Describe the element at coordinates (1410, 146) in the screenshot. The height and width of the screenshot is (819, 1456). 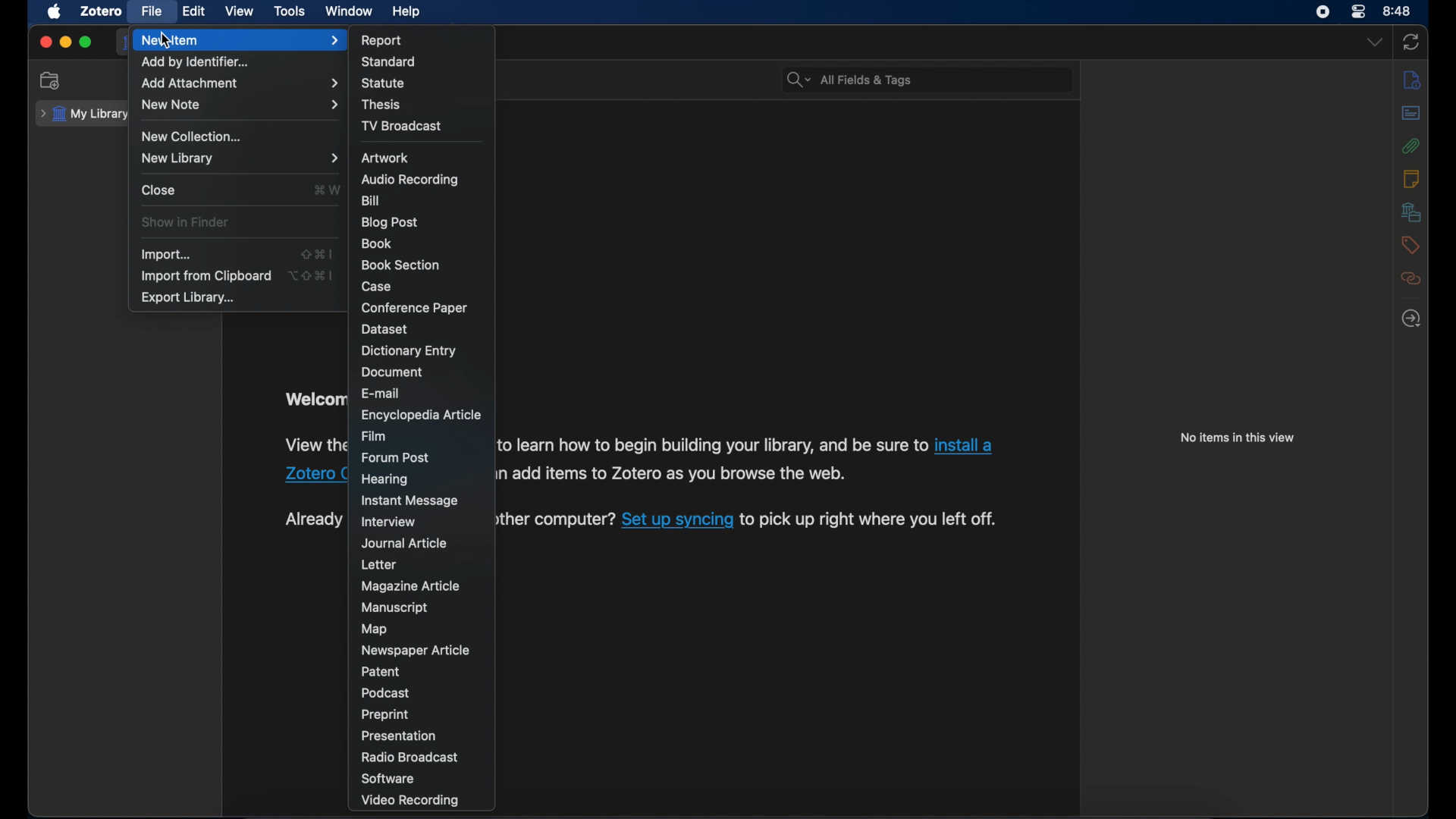
I see `attachments` at that location.